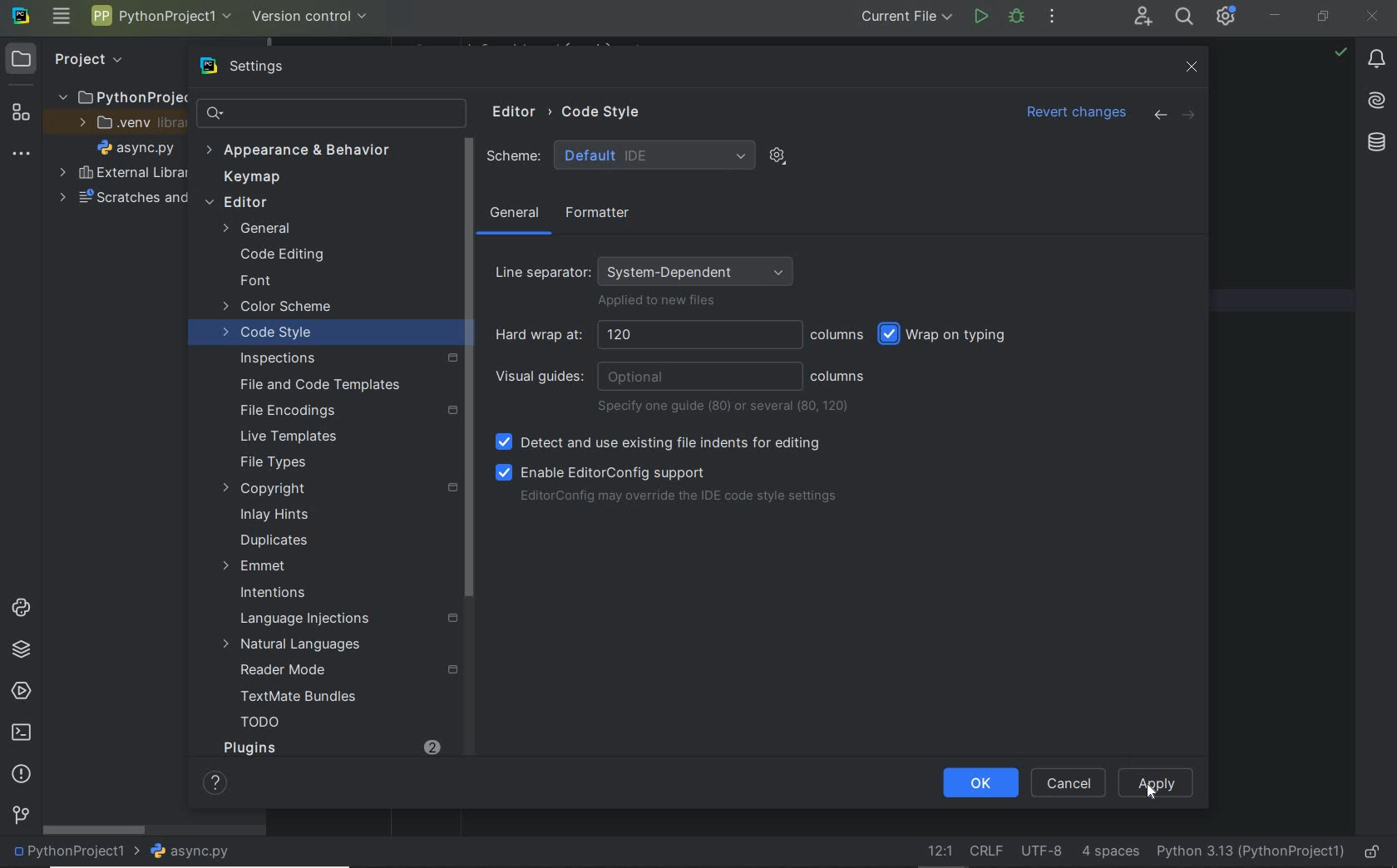  I want to click on Natural Languages, so click(294, 646).